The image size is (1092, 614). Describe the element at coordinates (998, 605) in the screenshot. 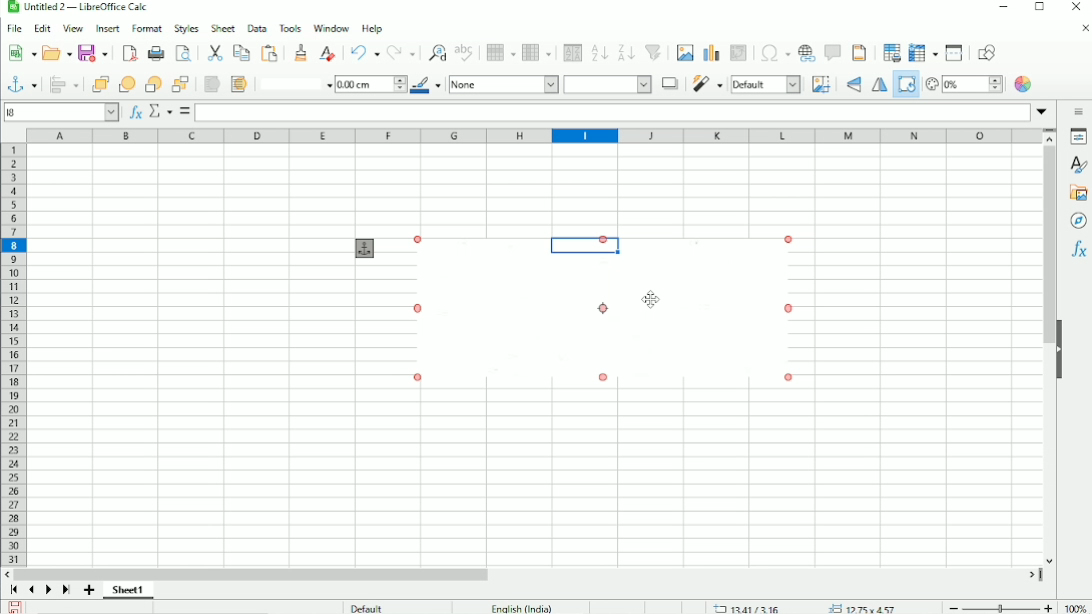

I see `Zoom out/in` at that location.